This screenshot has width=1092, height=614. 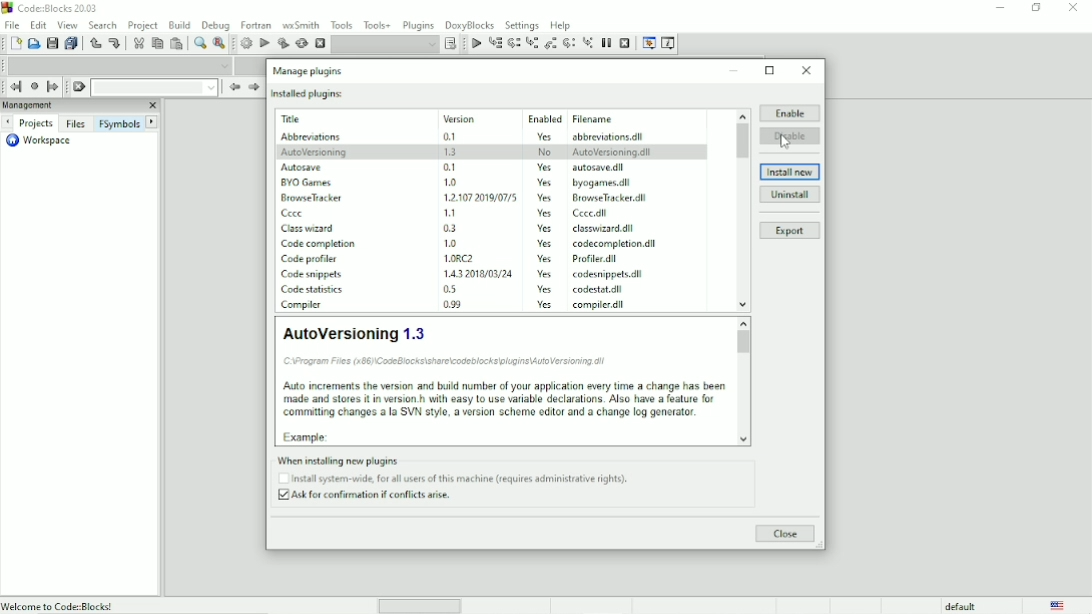 What do you see at coordinates (216, 23) in the screenshot?
I see `Debug` at bounding box center [216, 23].